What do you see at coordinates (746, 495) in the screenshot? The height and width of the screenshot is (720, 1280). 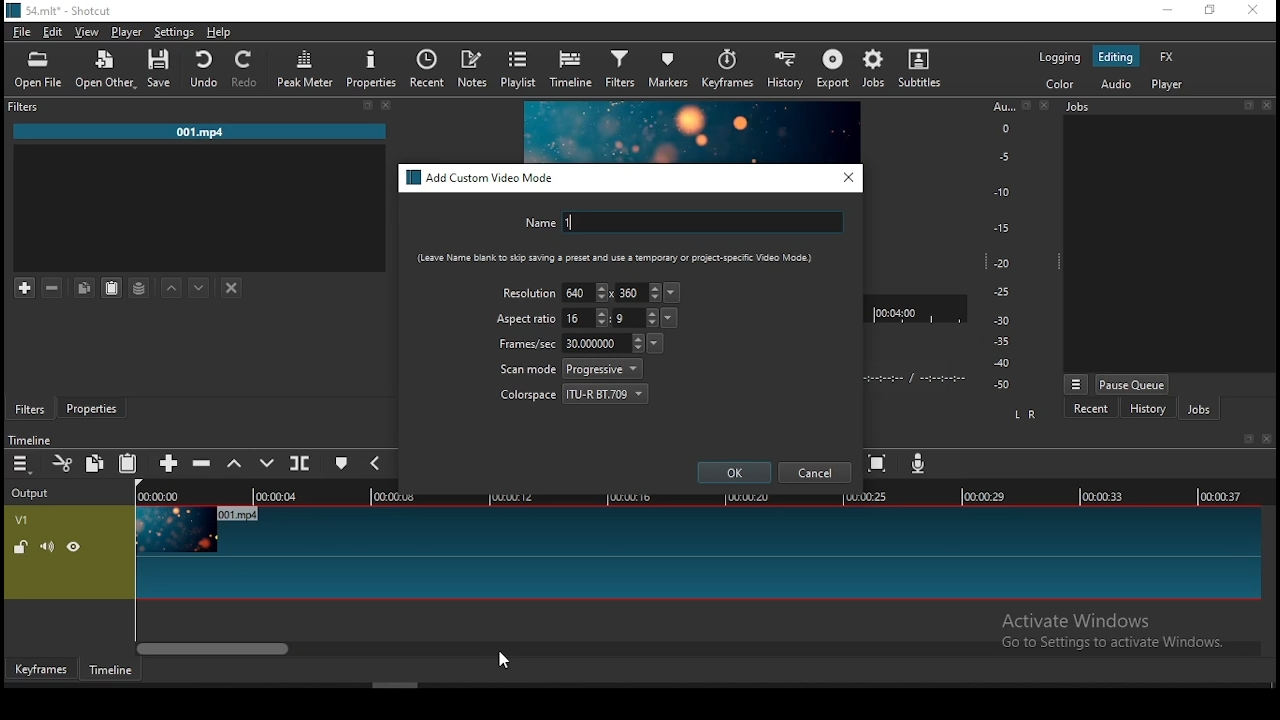 I see `00:00:20` at bounding box center [746, 495].